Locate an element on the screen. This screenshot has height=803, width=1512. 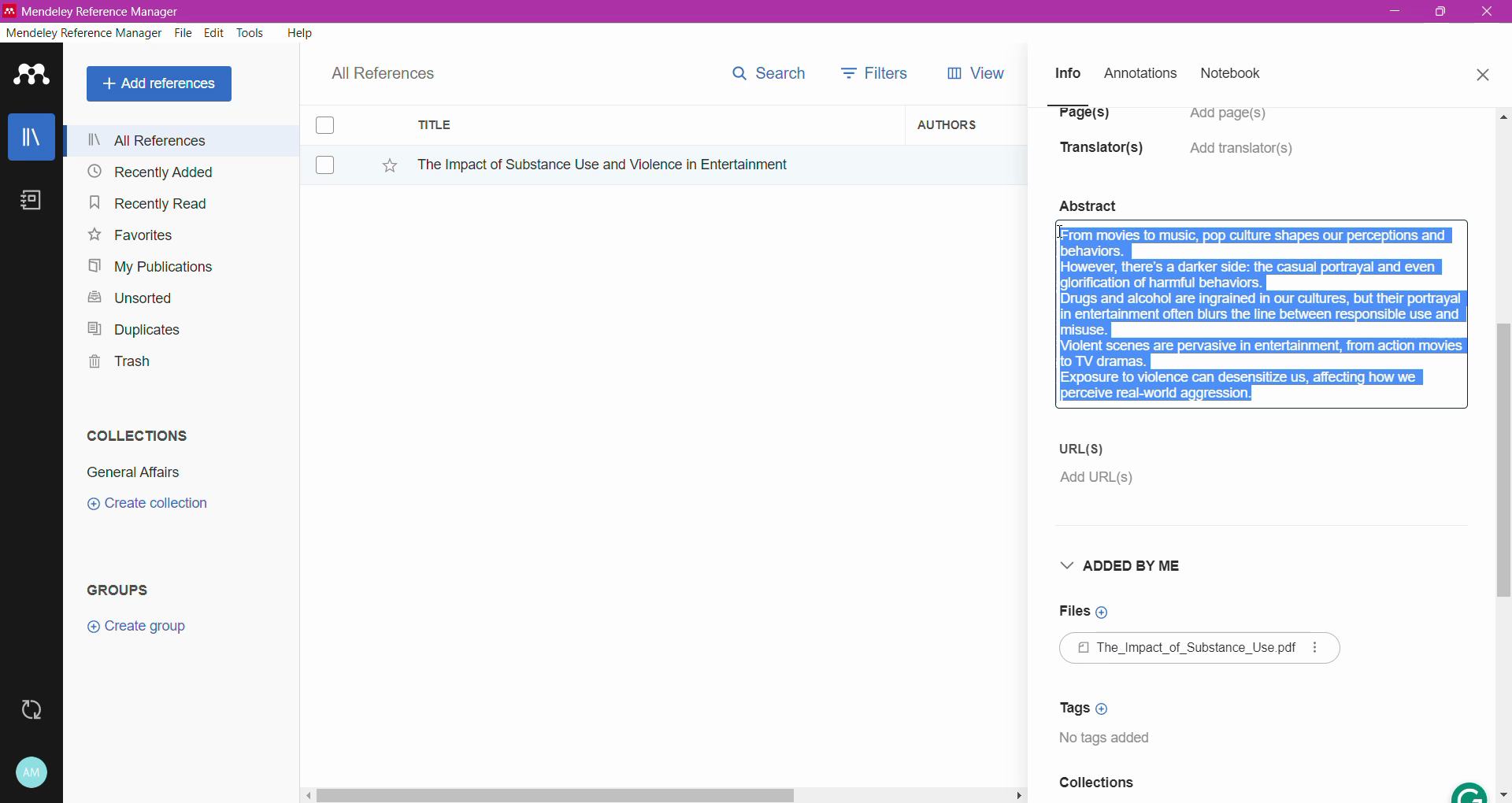
Unsorted is located at coordinates (128, 297).